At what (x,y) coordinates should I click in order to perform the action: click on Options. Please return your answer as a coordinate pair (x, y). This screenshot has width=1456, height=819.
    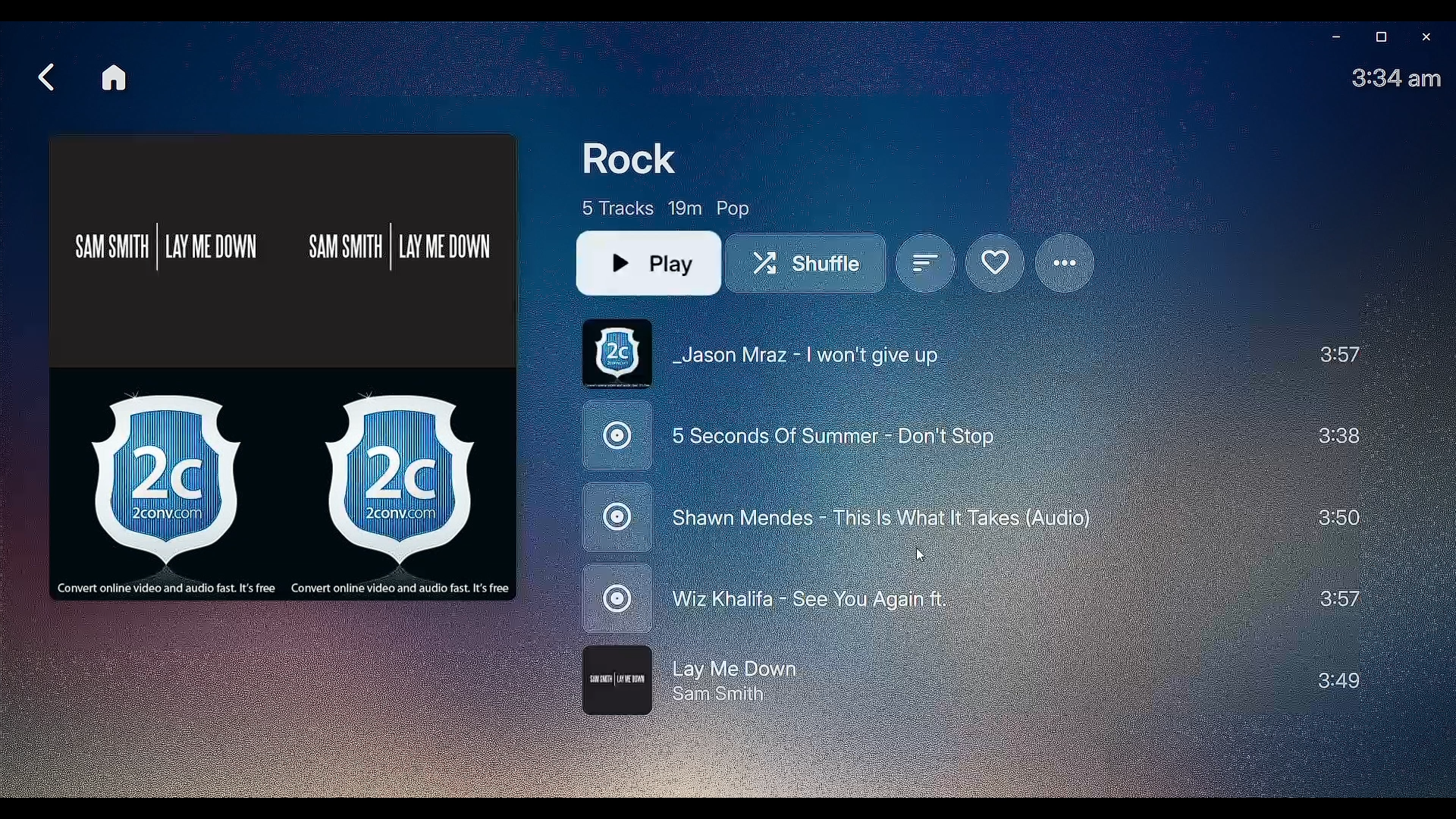
    Looking at the image, I should click on (1067, 263).